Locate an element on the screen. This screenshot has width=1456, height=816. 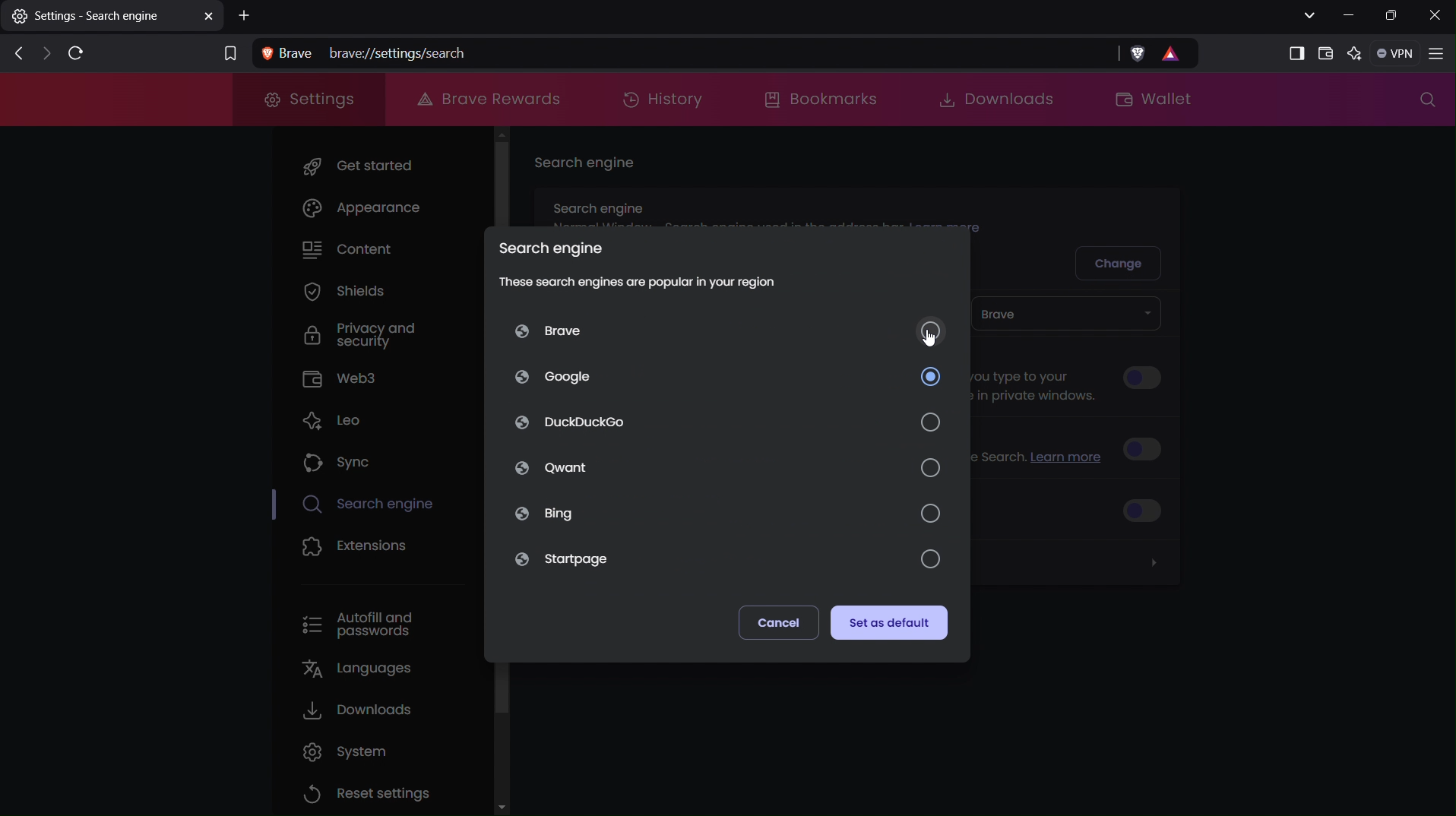
Leo AI is located at coordinates (1357, 54).